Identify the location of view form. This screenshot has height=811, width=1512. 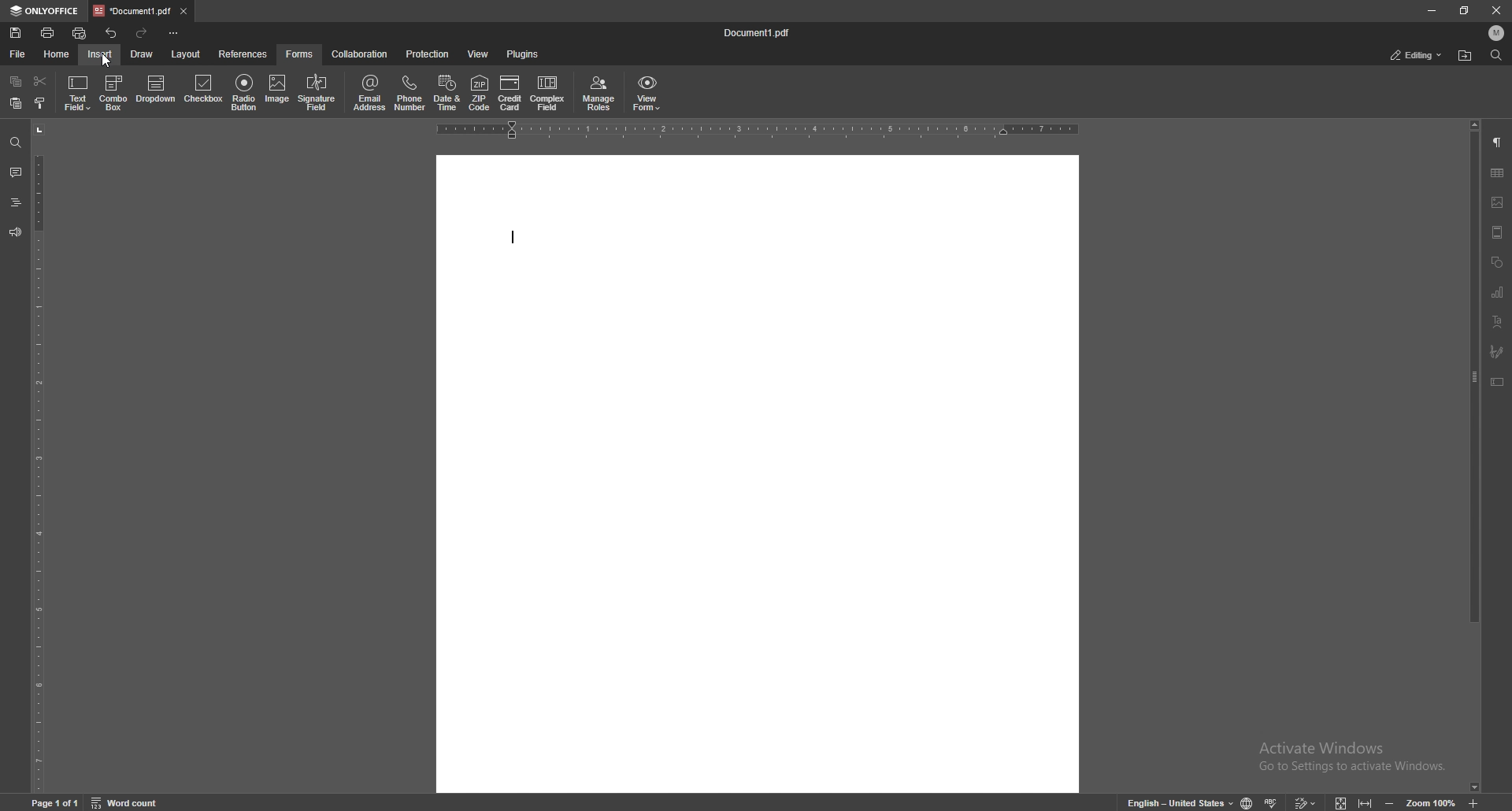
(648, 92).